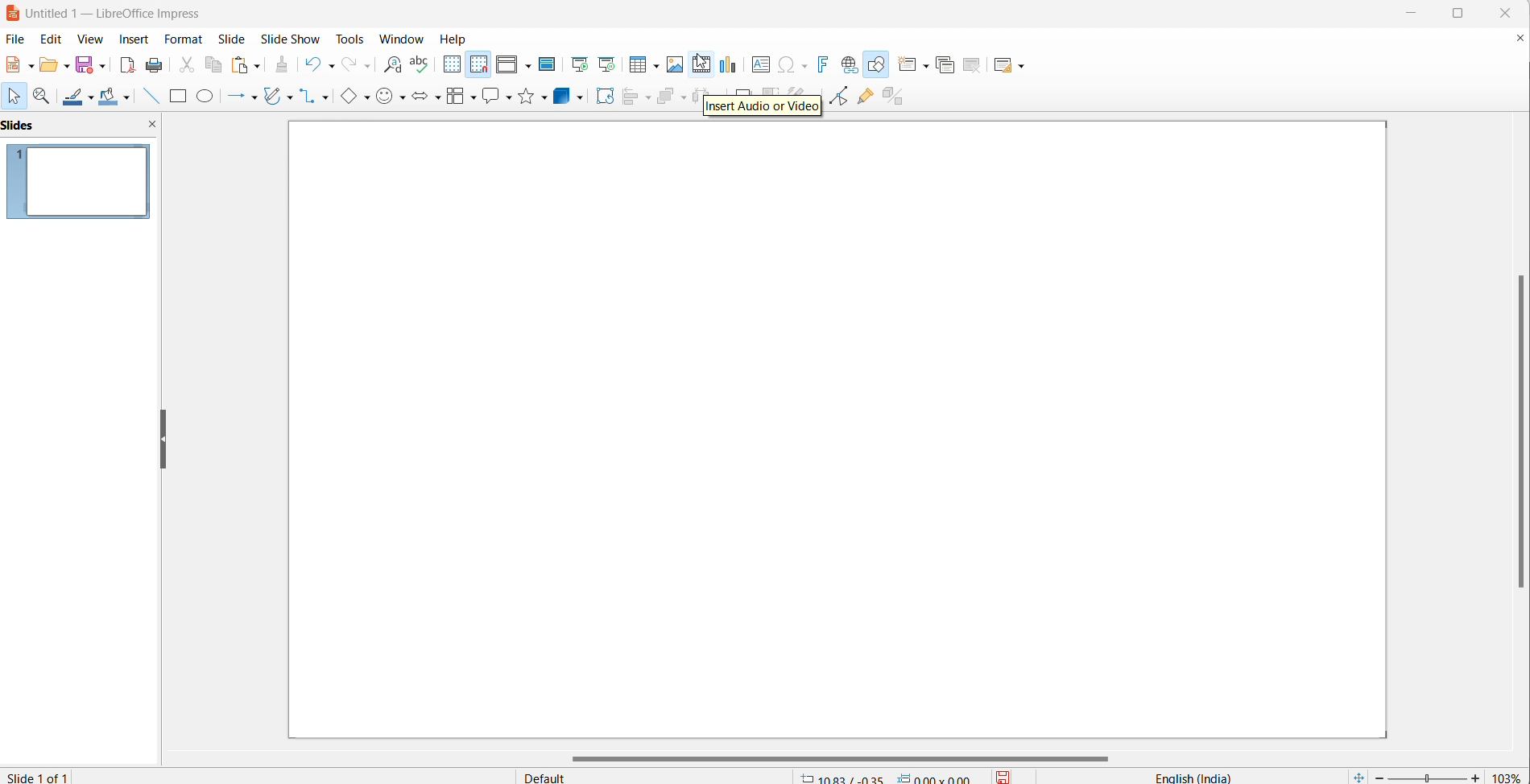 This screenshot has width=1530, height=784. What do you see at coordinates (1002, 775) in the screenshot?
I see `save` at bounding box center [1002, 775].